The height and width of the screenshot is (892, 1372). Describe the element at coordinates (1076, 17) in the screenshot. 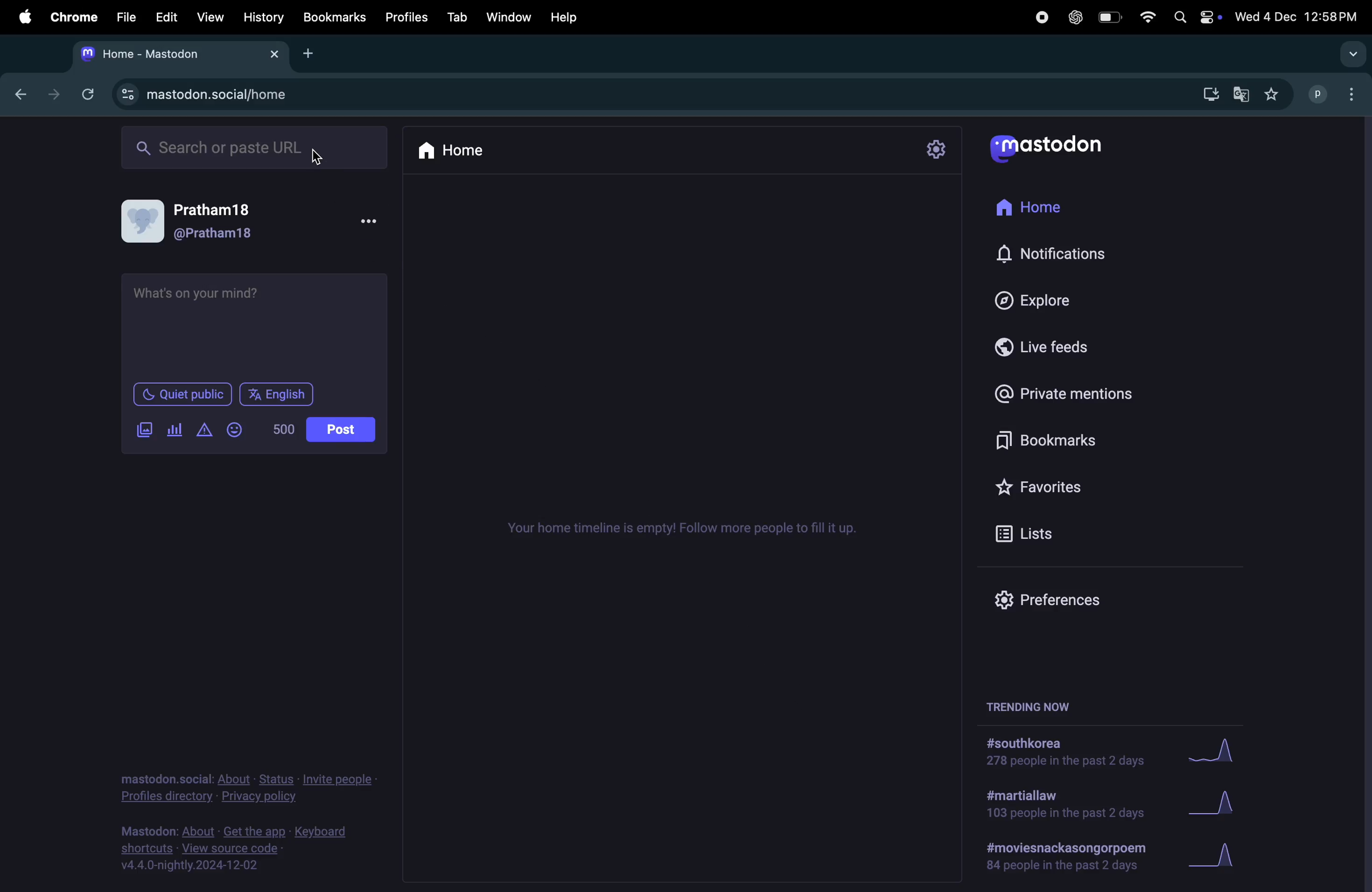

I see `chatgpt` at that location.